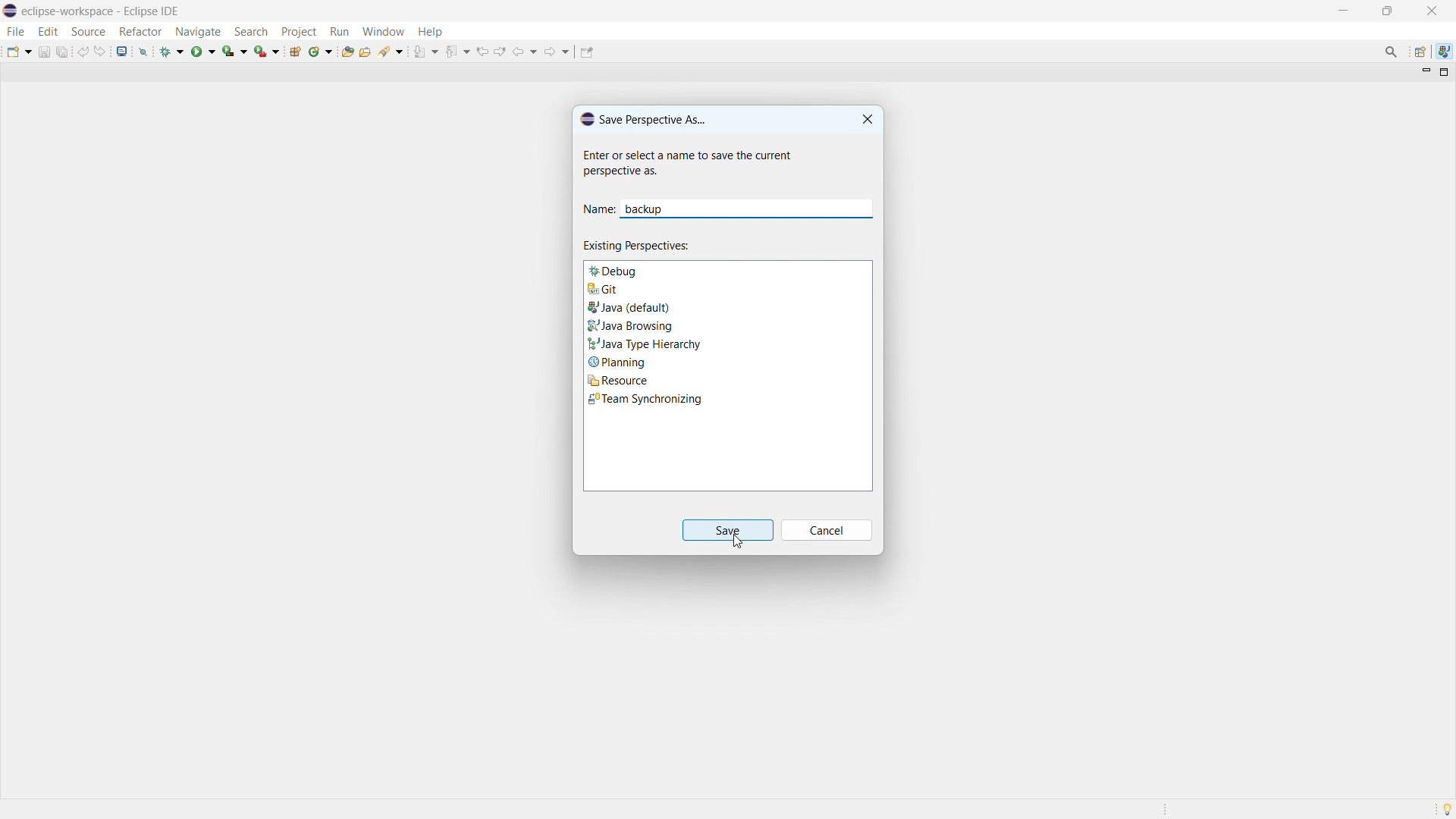  Describe the element at coordinates (727, 380) in the screenshot. I see `Resource` at that location.